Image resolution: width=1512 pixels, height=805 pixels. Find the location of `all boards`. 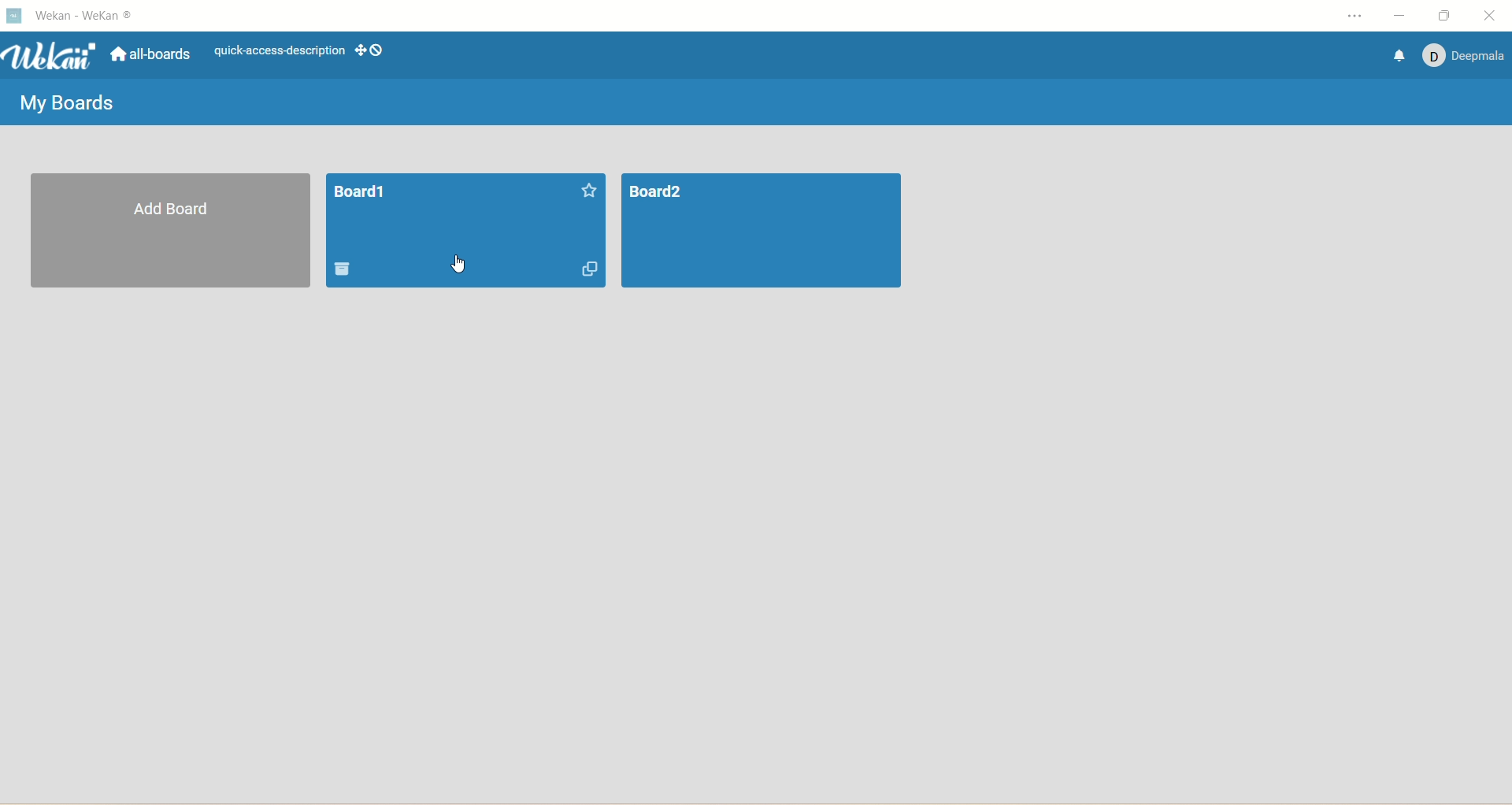

all boards is located at coordinates (155, 58).